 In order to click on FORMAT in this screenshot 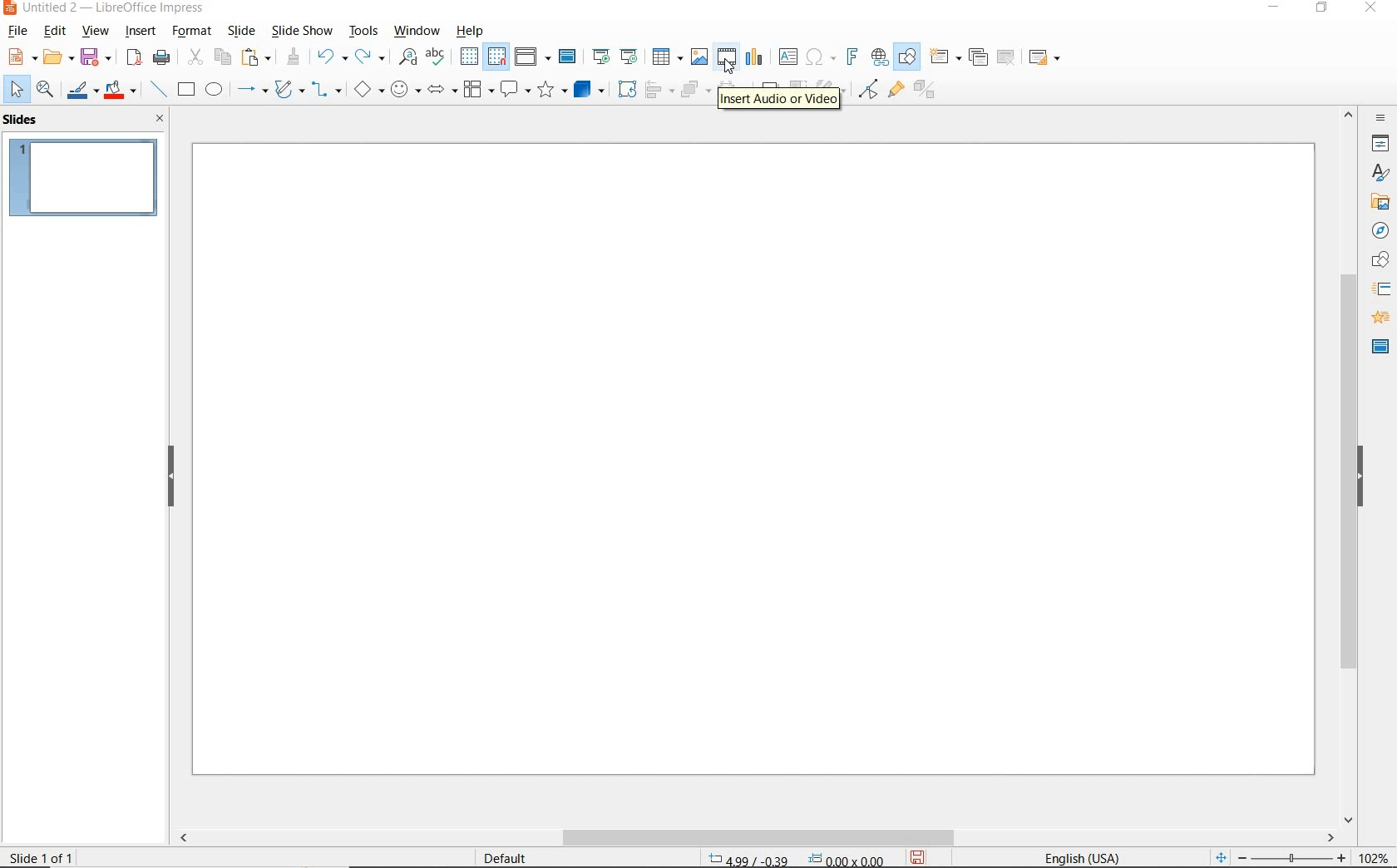, I will do `click(192, 31)`.